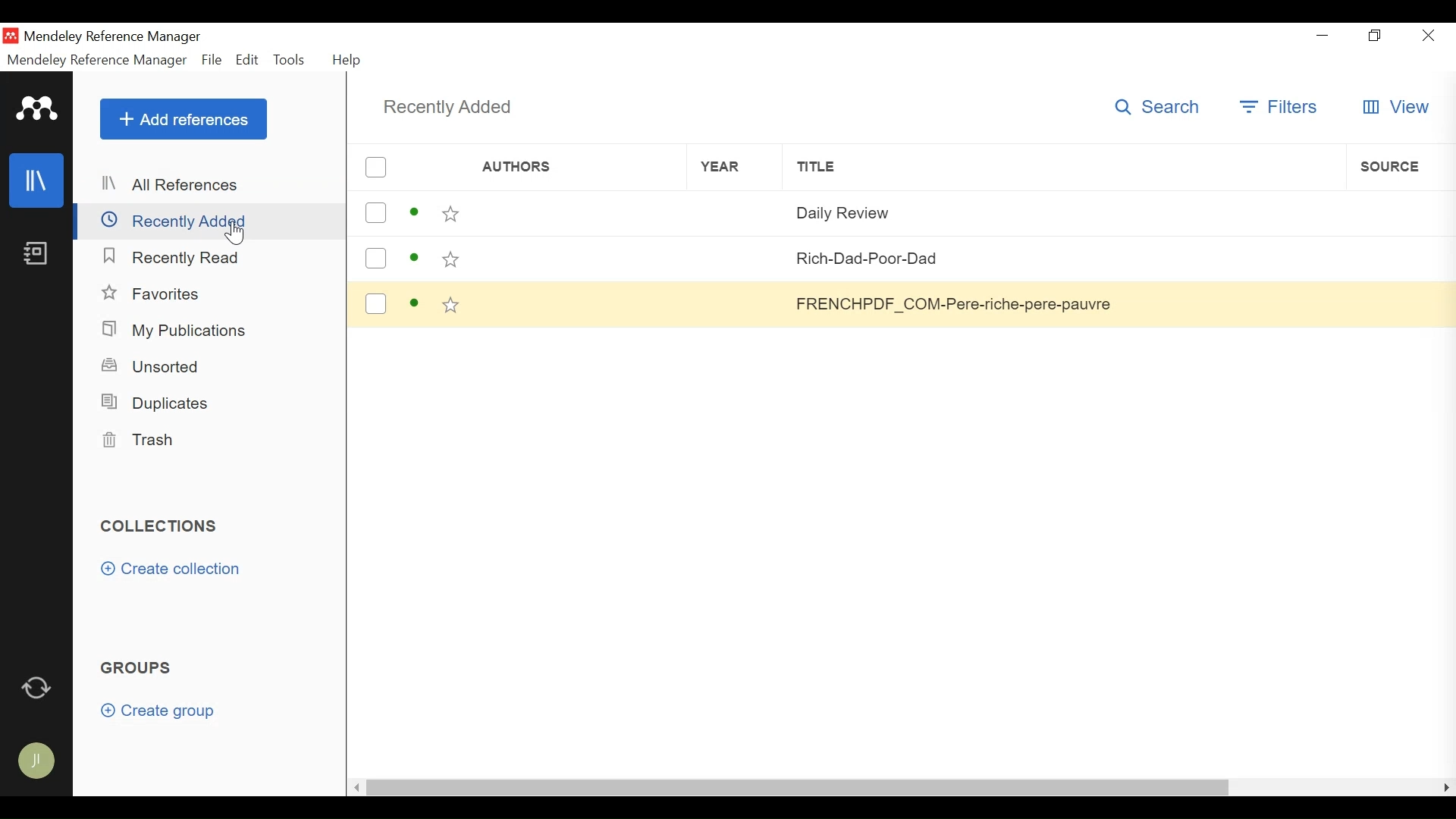 The image size is (1456, 819). What do you see at coordinates (1396, 209) in the screenshot?
I see `Source` at bounding box center [1396, 209].